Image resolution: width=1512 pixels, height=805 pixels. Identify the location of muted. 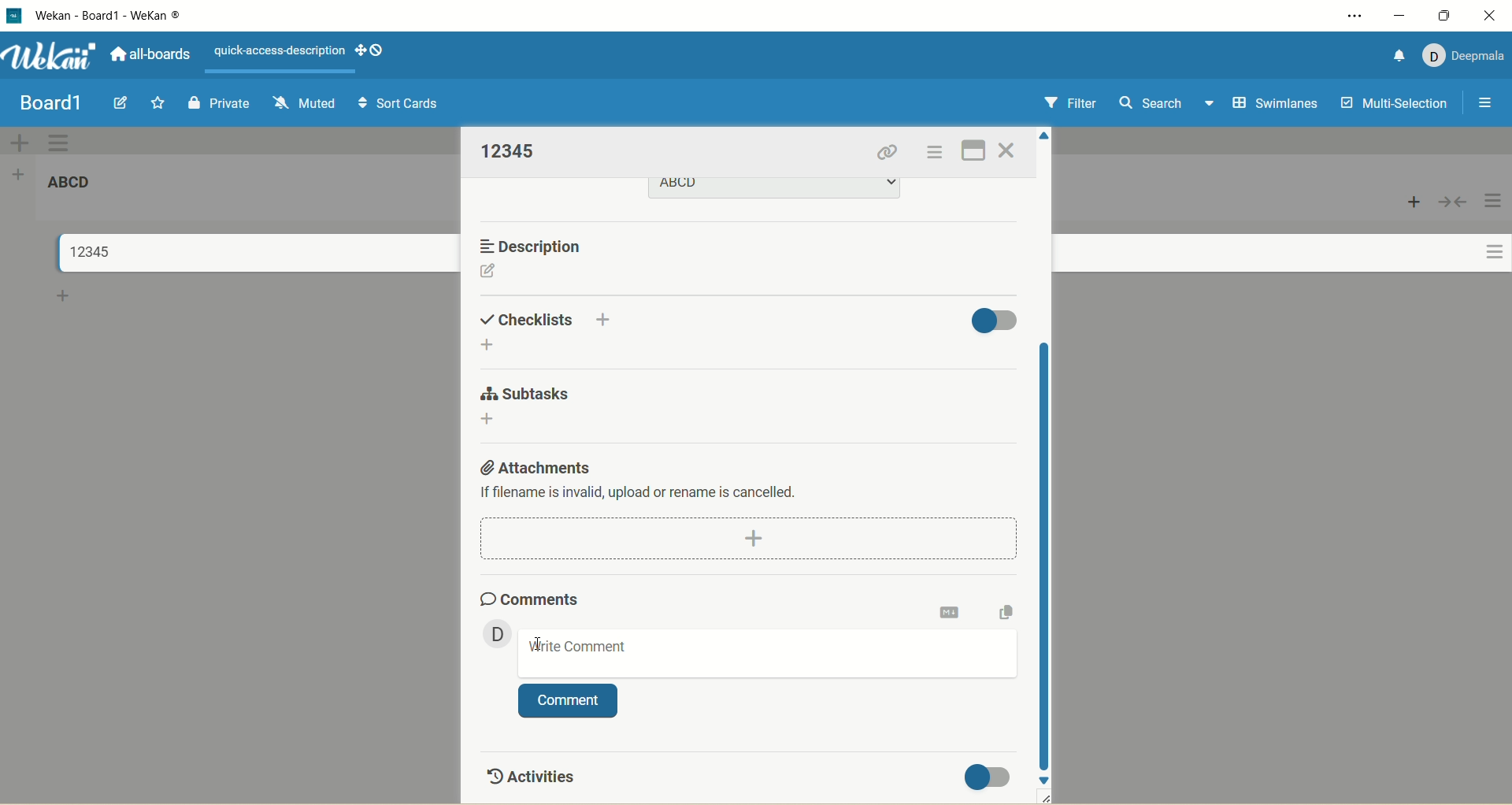
(301, 101).